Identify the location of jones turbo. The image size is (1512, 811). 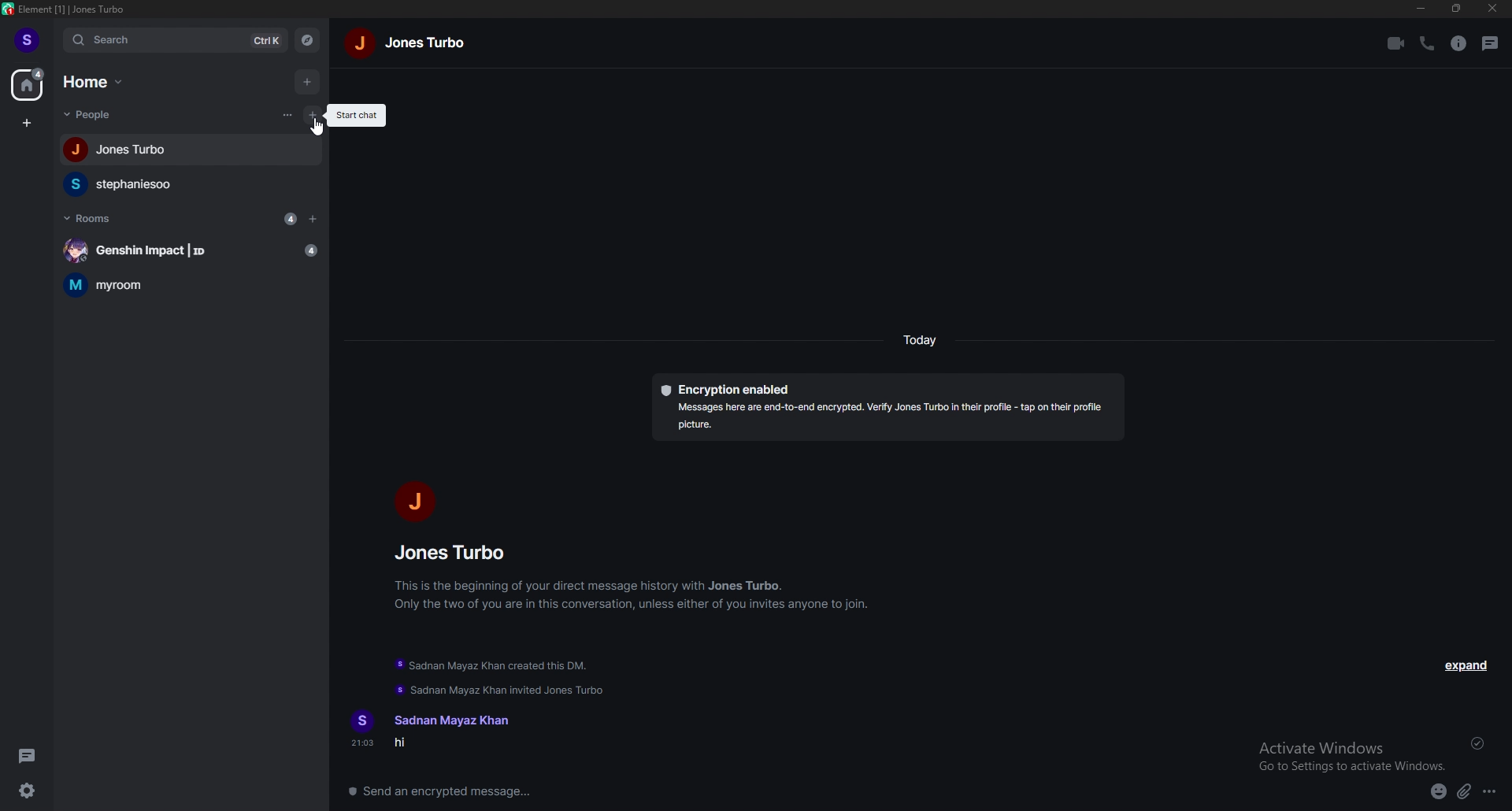
(427, 44).